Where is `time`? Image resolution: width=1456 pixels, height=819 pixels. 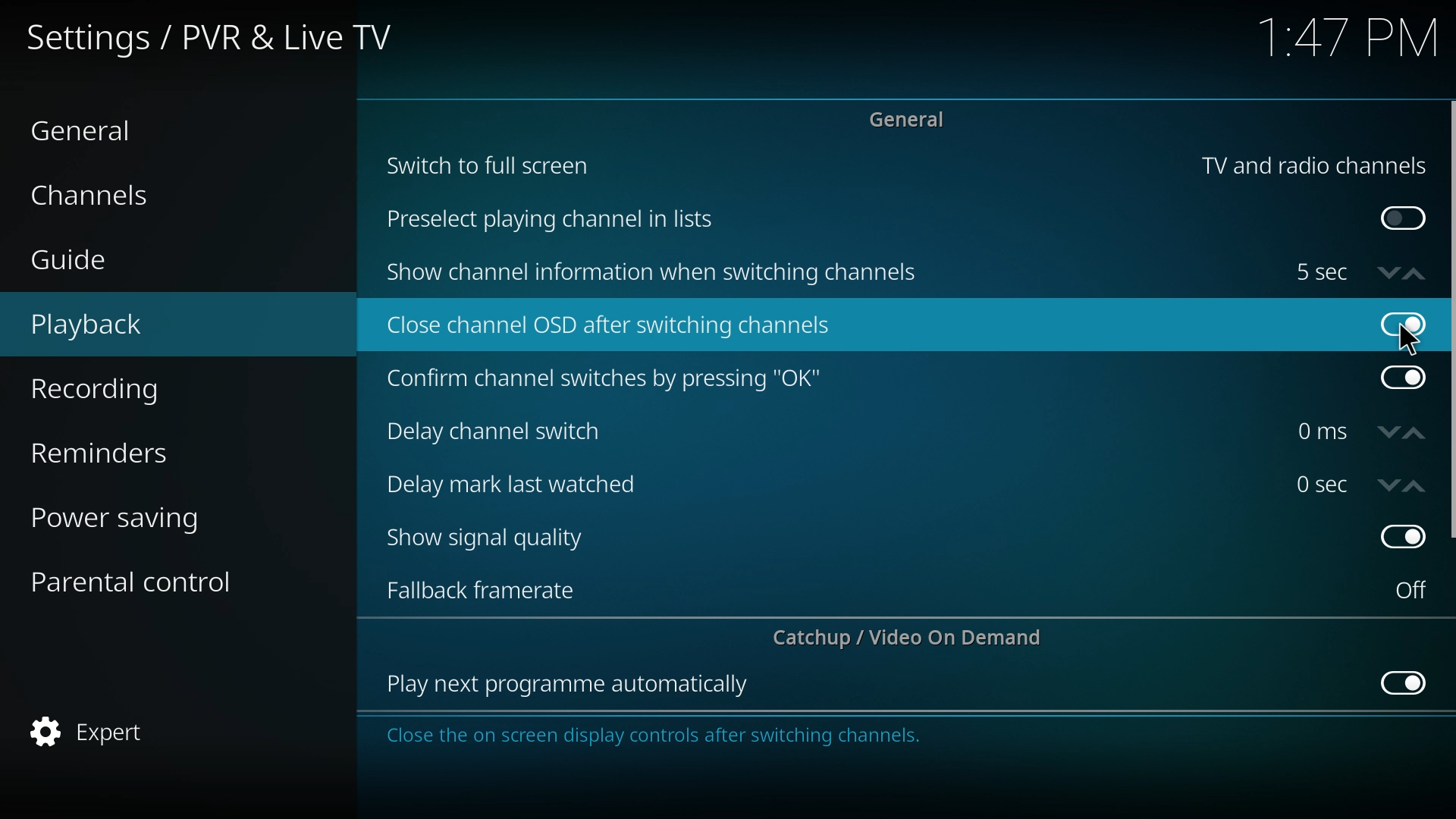 time is located at coordinates (1322, 484).